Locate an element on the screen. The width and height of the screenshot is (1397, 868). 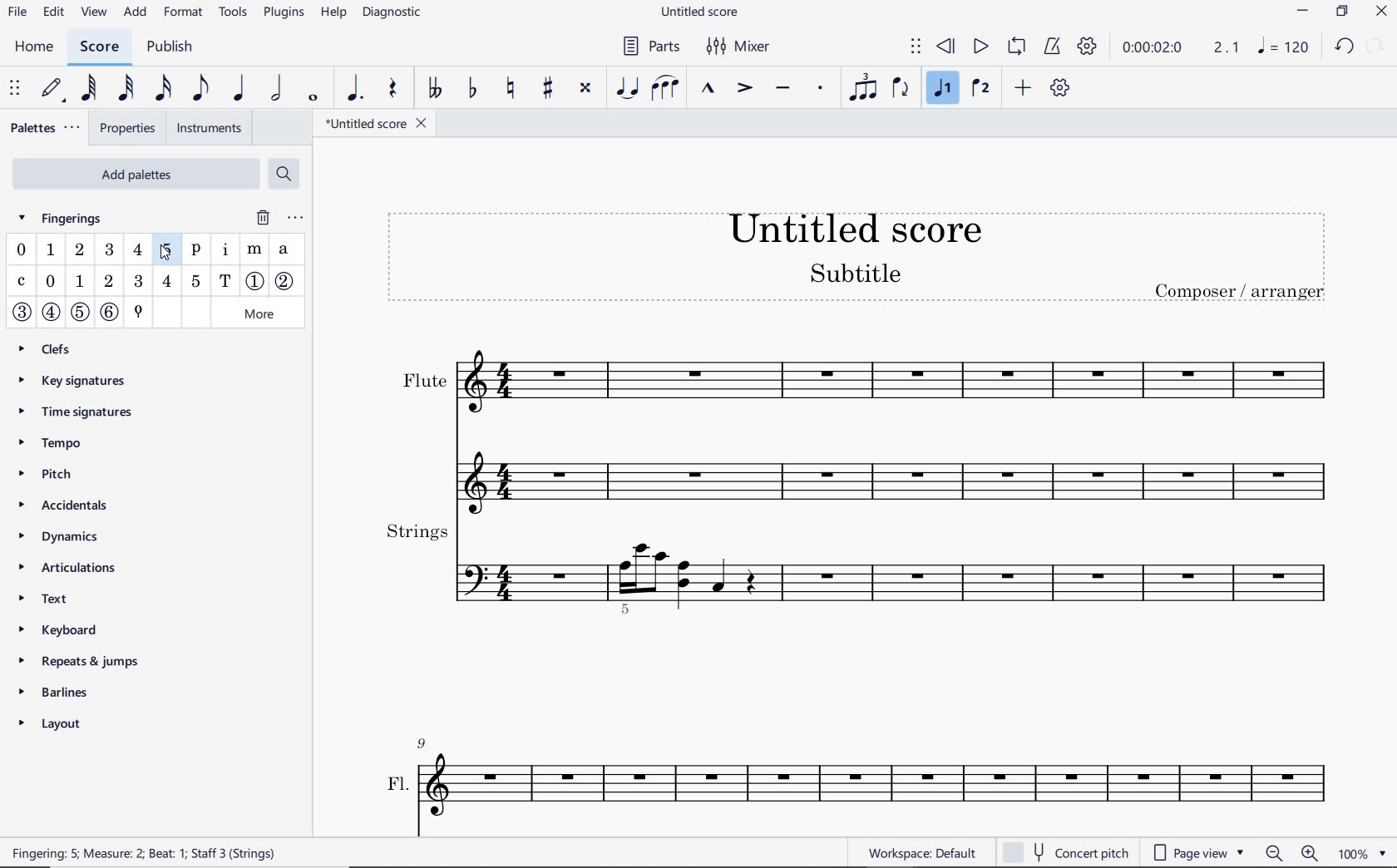
barlines is located at coordinates (86, 689).